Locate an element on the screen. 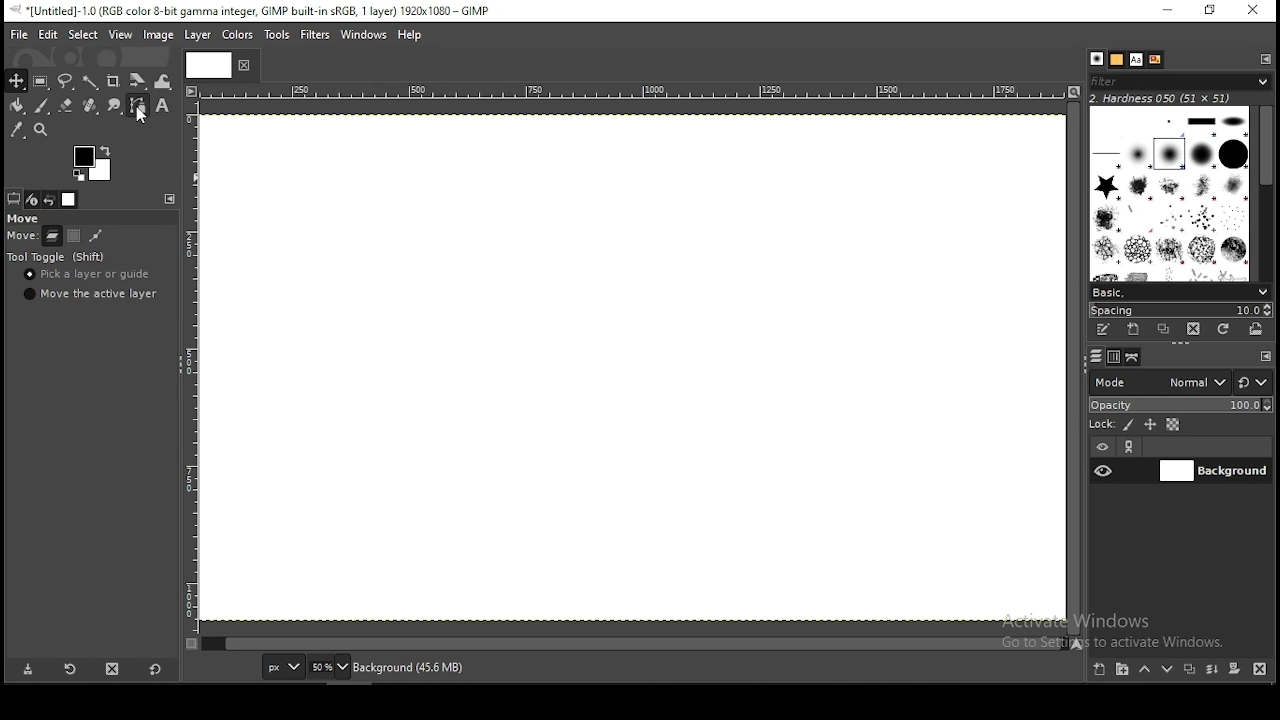 The image size is (1280, 720). warp transform is located at coordinates (164, 81).